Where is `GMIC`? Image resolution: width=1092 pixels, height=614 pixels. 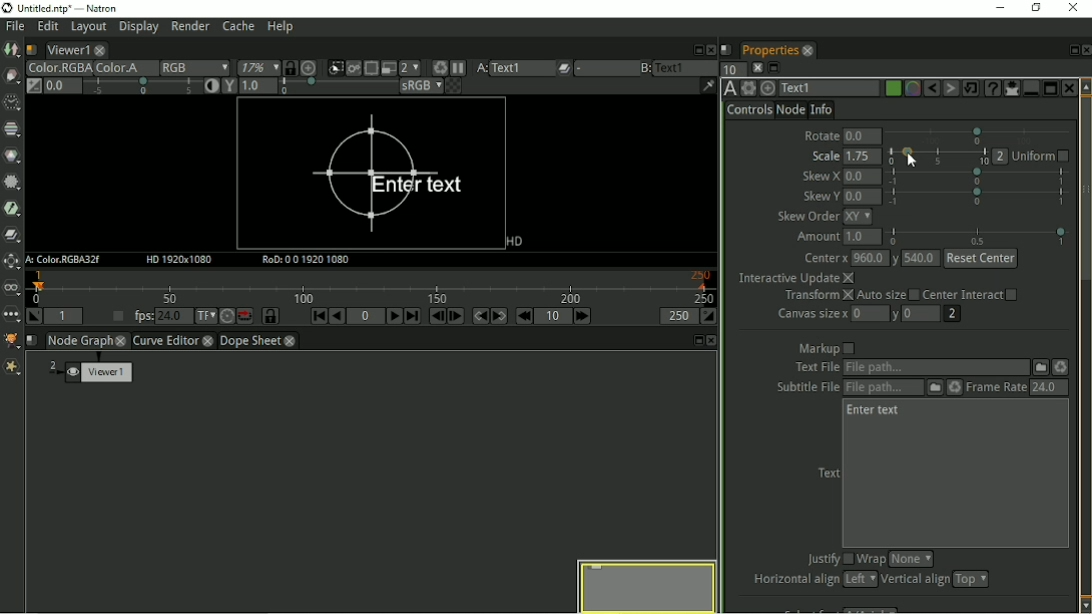
GMIC is located at coordinates (12, 338).